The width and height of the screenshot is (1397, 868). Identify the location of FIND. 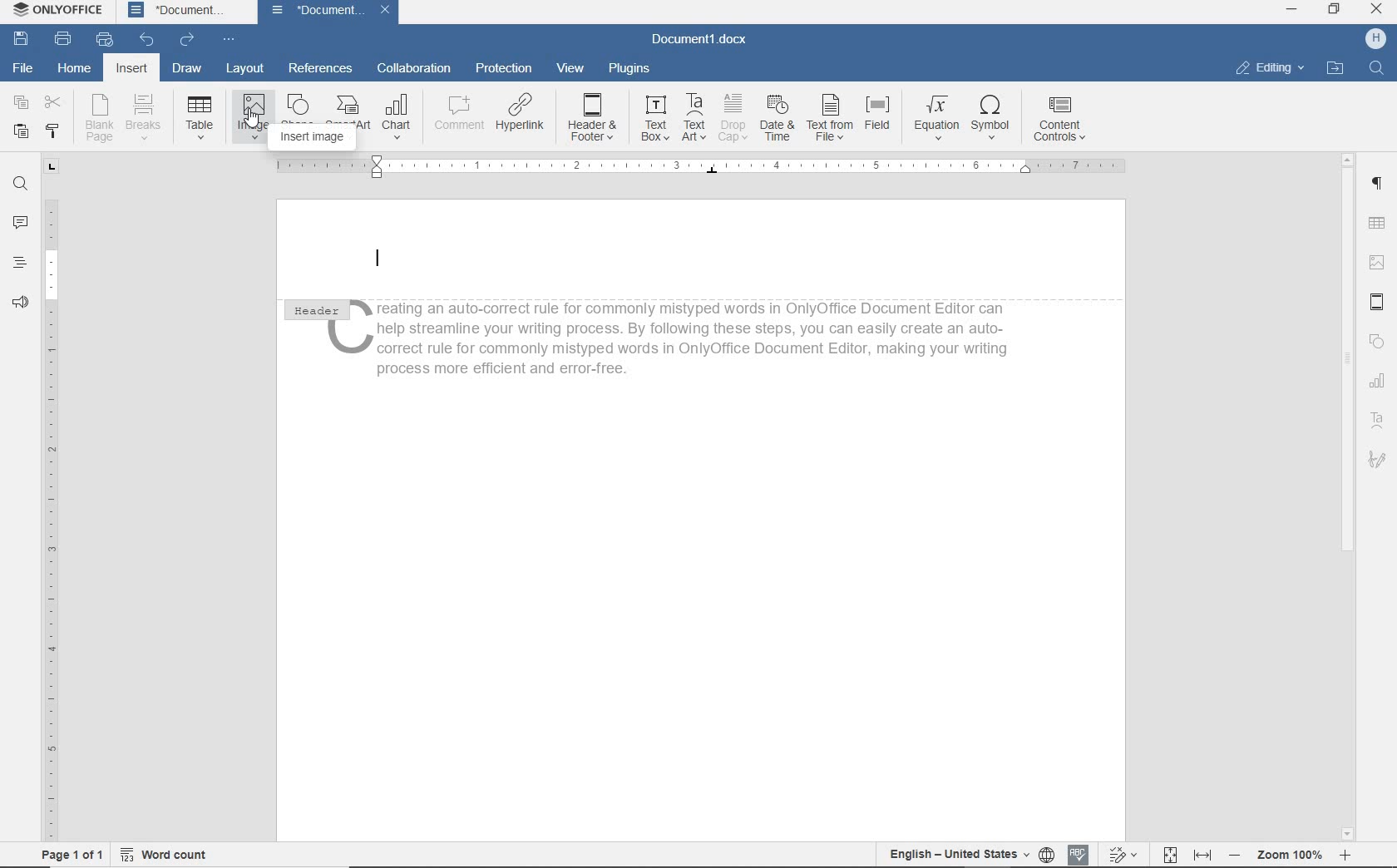
(19, 184).